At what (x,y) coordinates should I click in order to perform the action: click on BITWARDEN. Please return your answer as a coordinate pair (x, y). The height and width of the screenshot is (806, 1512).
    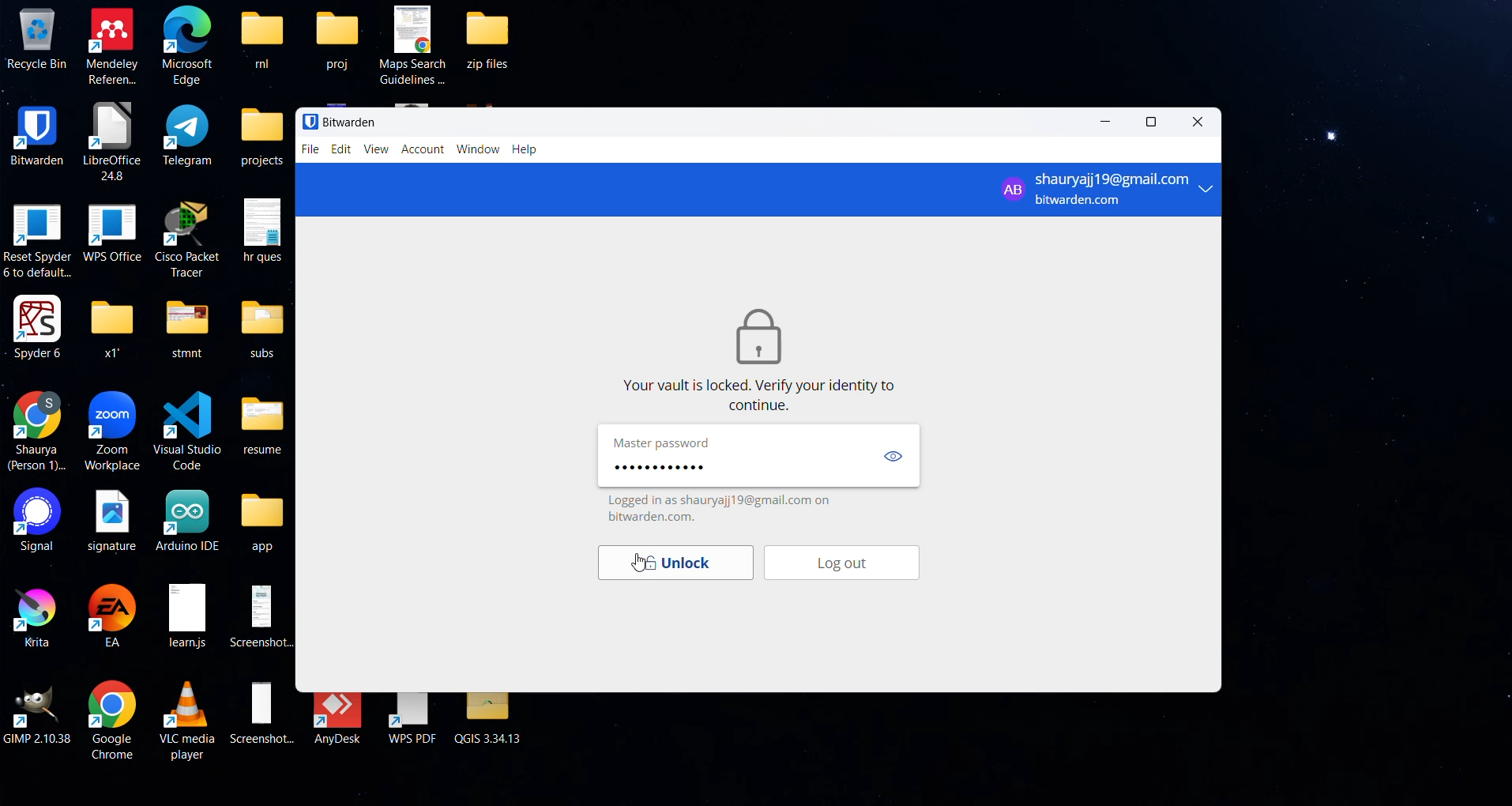
    Looking at the image, I should click on (36, 133).